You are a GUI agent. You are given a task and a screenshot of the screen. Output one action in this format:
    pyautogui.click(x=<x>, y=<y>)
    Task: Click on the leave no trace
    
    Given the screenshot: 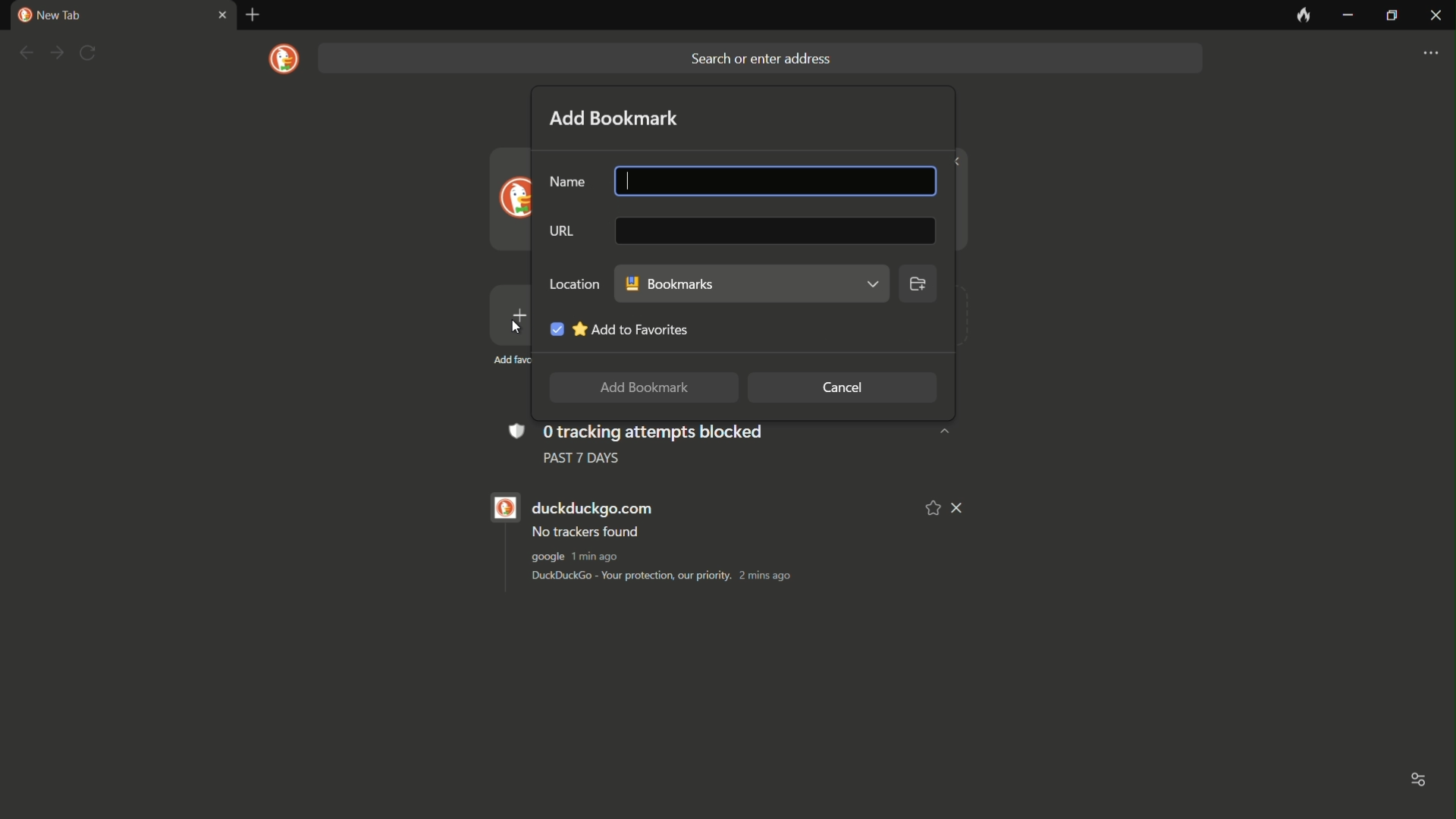 What is the action you would take?
    pyautogui.click(x=1302, y=16)
    